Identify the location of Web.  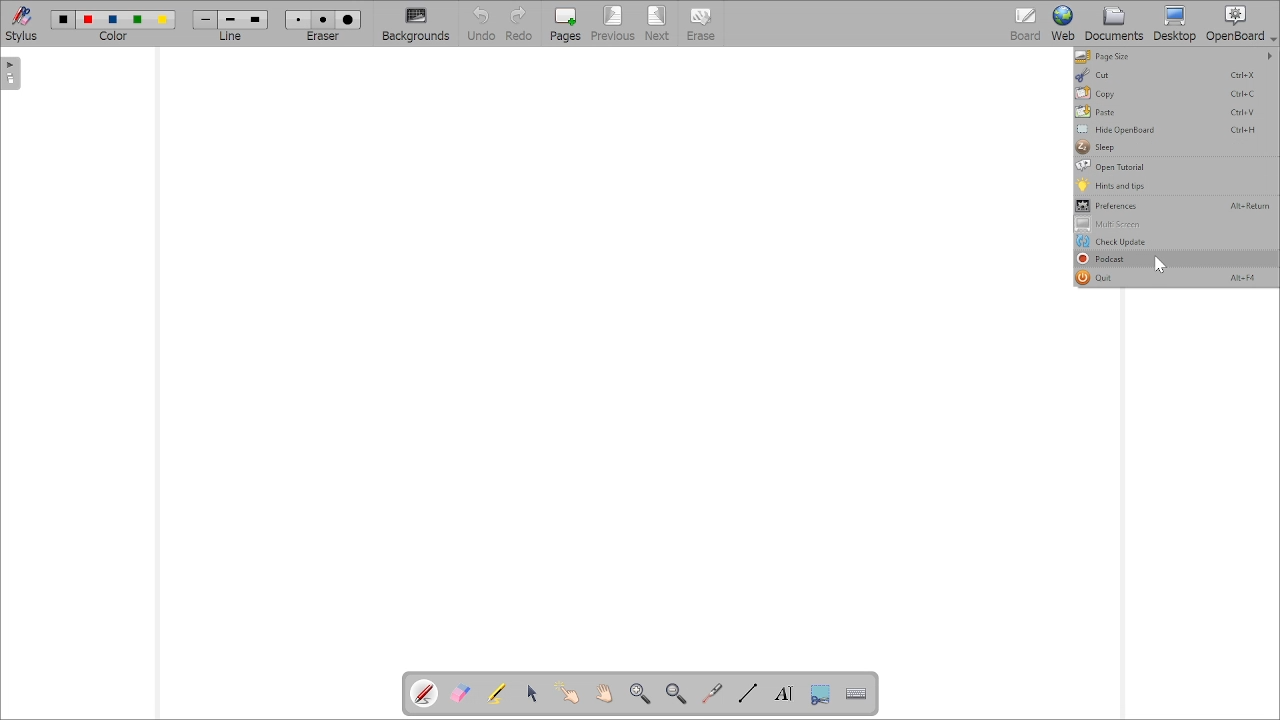
(1059, 23).